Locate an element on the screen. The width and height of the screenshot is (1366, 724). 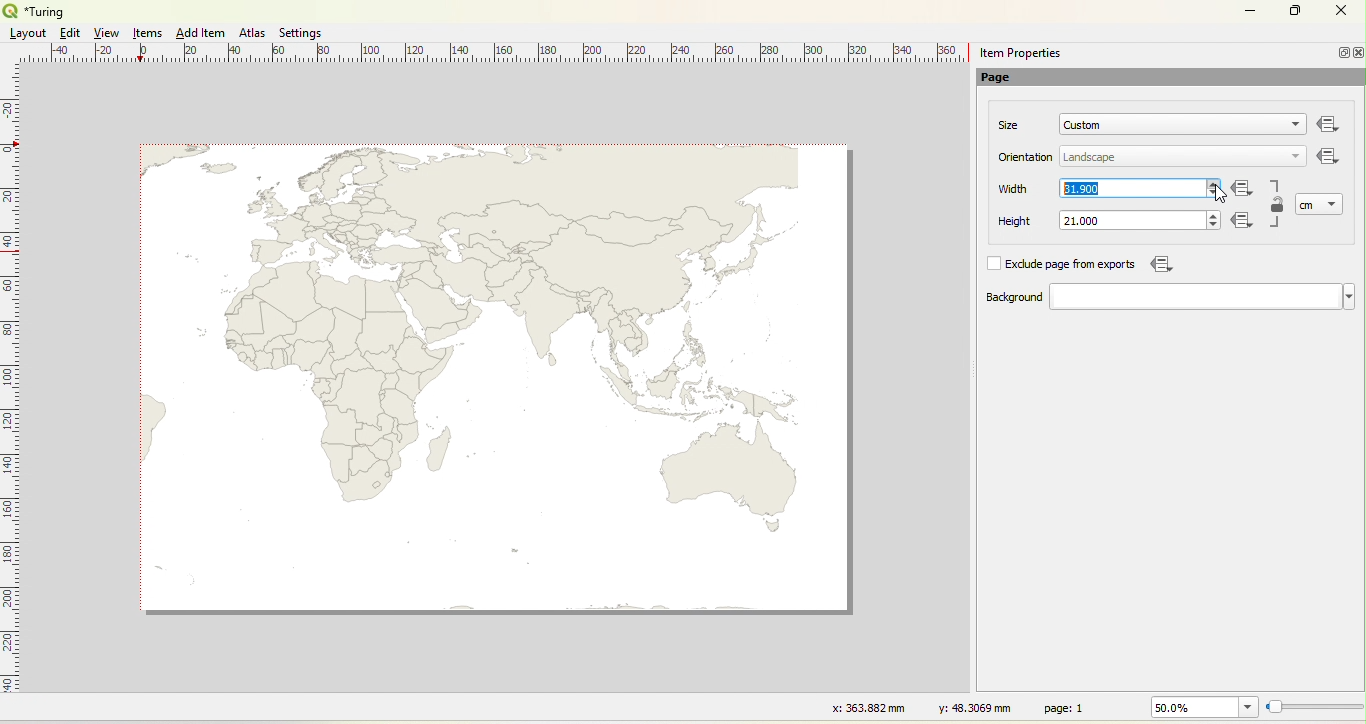
50.0% is located at coordinates (1201, 707).